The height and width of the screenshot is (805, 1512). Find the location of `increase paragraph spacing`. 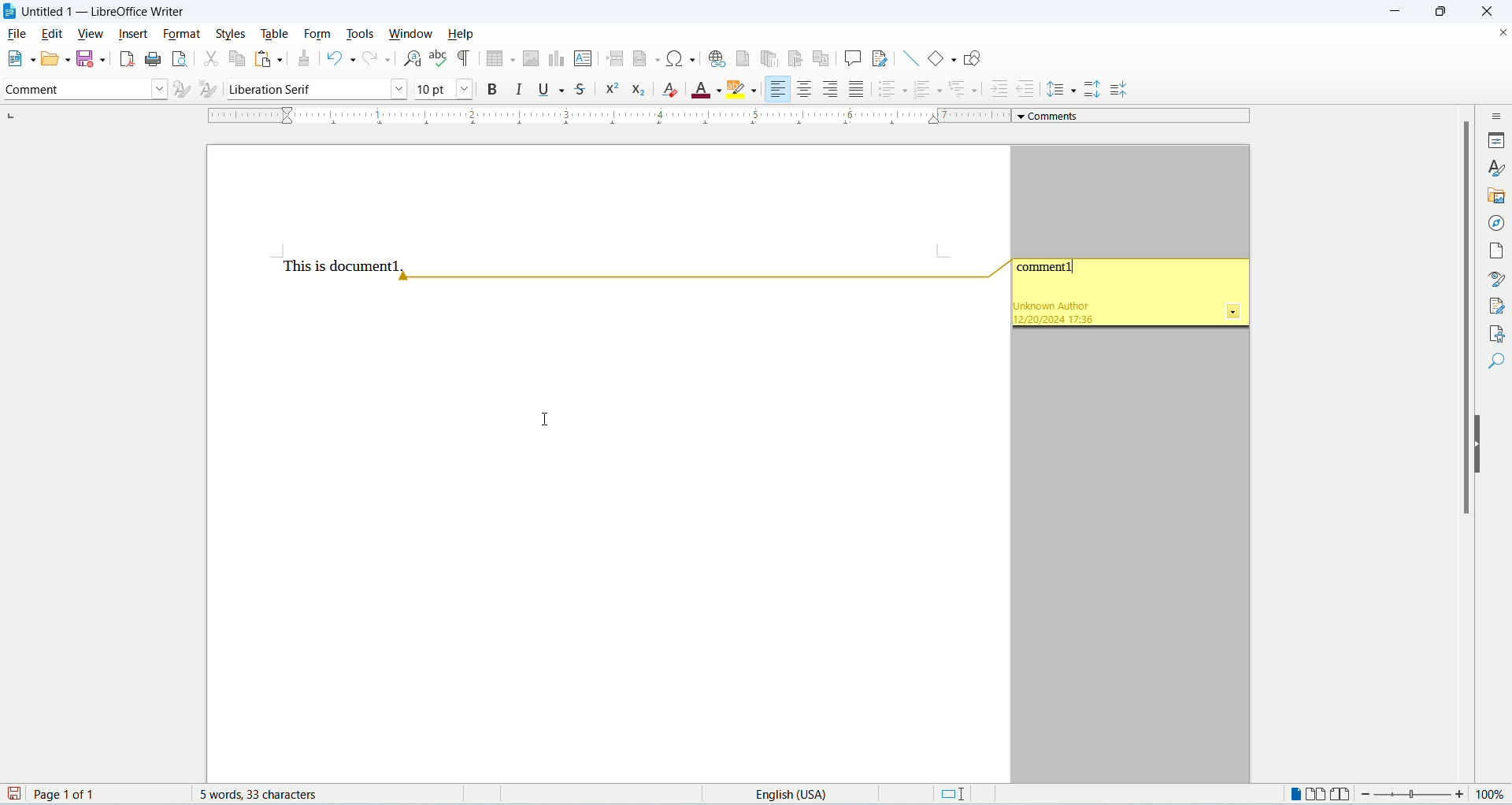

increase paragraph spacing is located at coordinates (1093, 90).